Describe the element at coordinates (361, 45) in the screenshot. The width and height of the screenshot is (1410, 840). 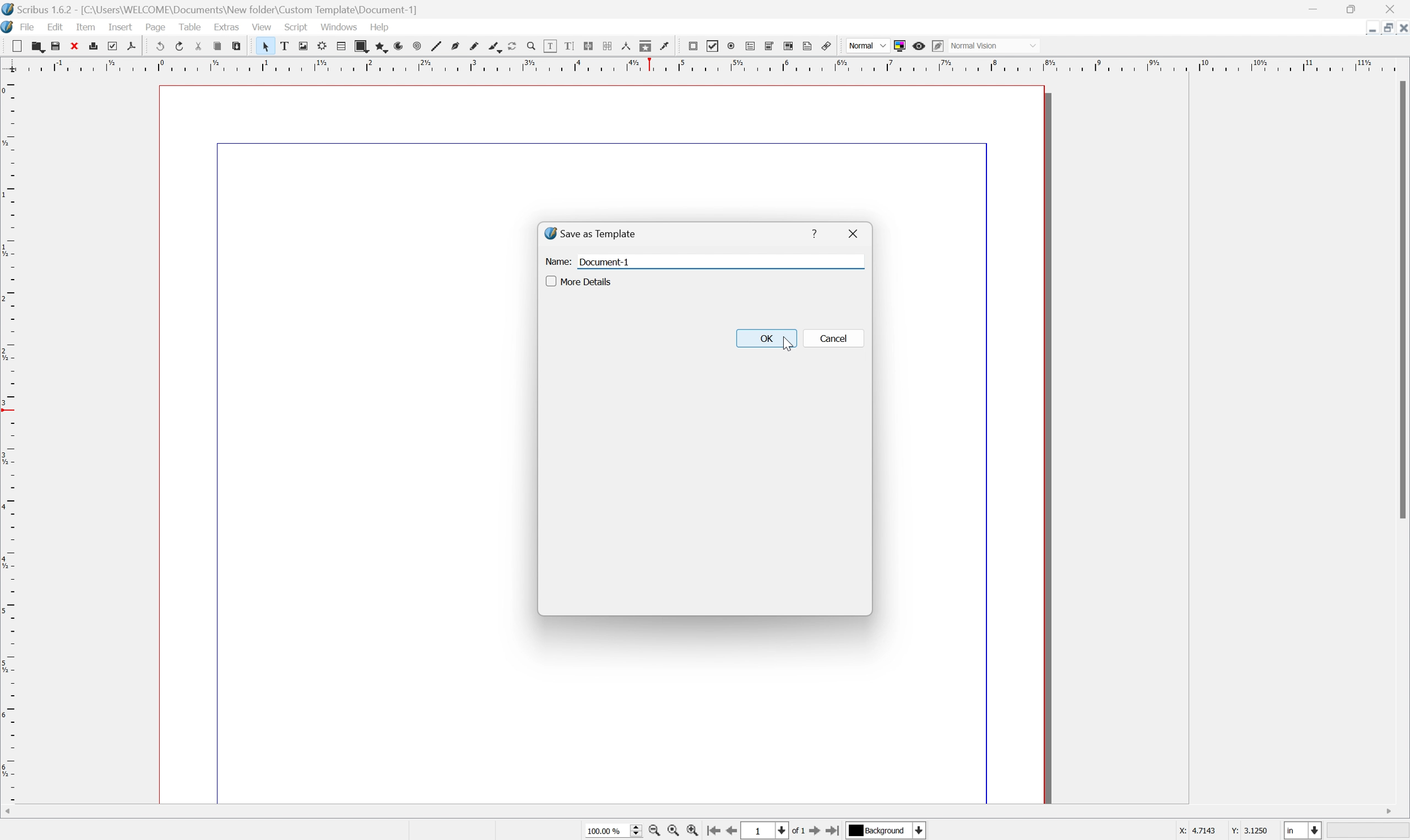
I see `shape` at that location.